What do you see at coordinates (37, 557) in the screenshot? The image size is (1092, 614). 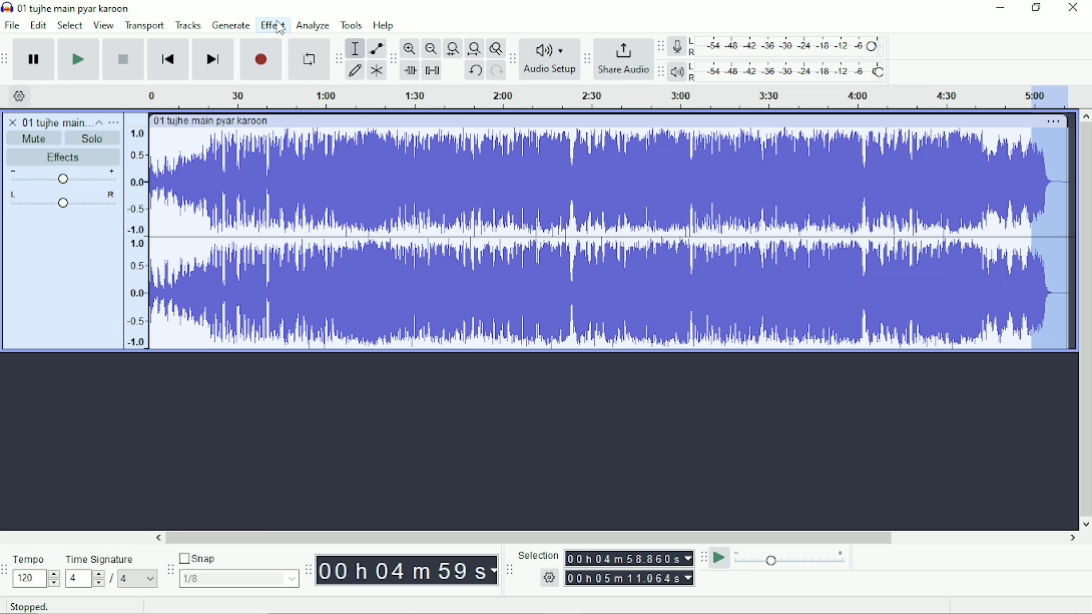 I see `Tempo` at bounding box center [37, 557].